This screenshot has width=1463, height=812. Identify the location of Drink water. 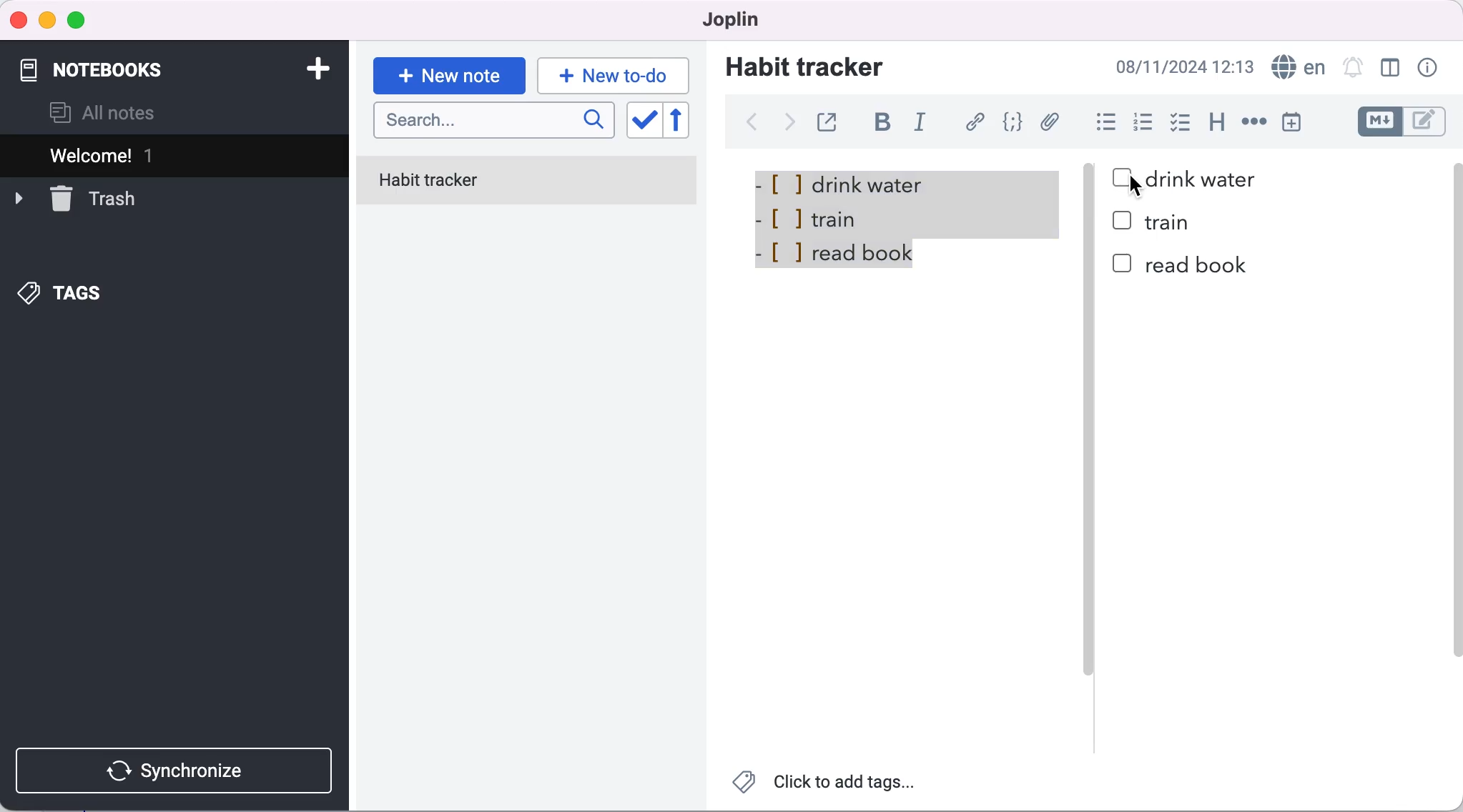
(1203, 180).